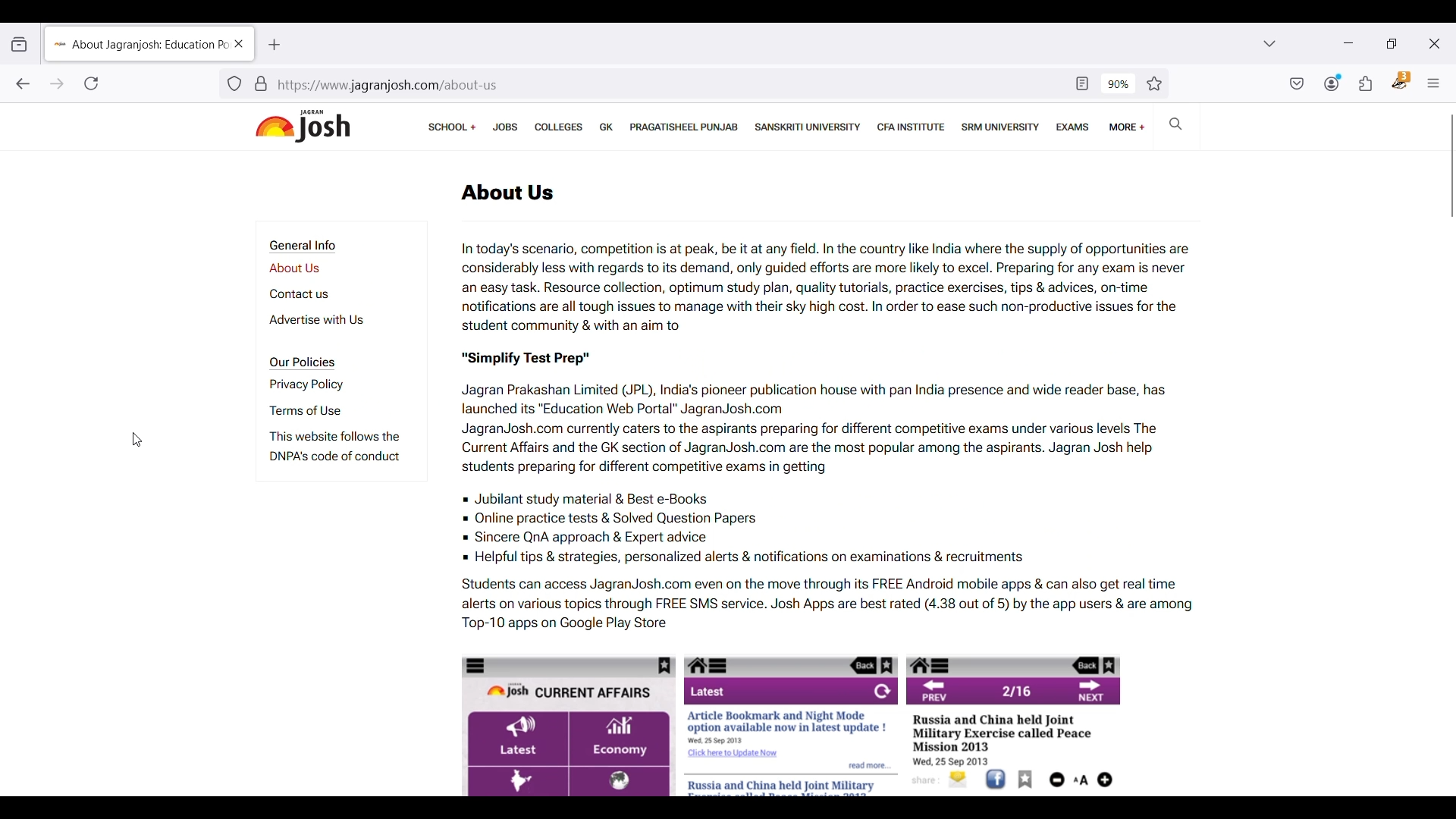  Describe the element at coordinates (1153, 84) in the screenshot. I see `Bookmark this page` at that location.